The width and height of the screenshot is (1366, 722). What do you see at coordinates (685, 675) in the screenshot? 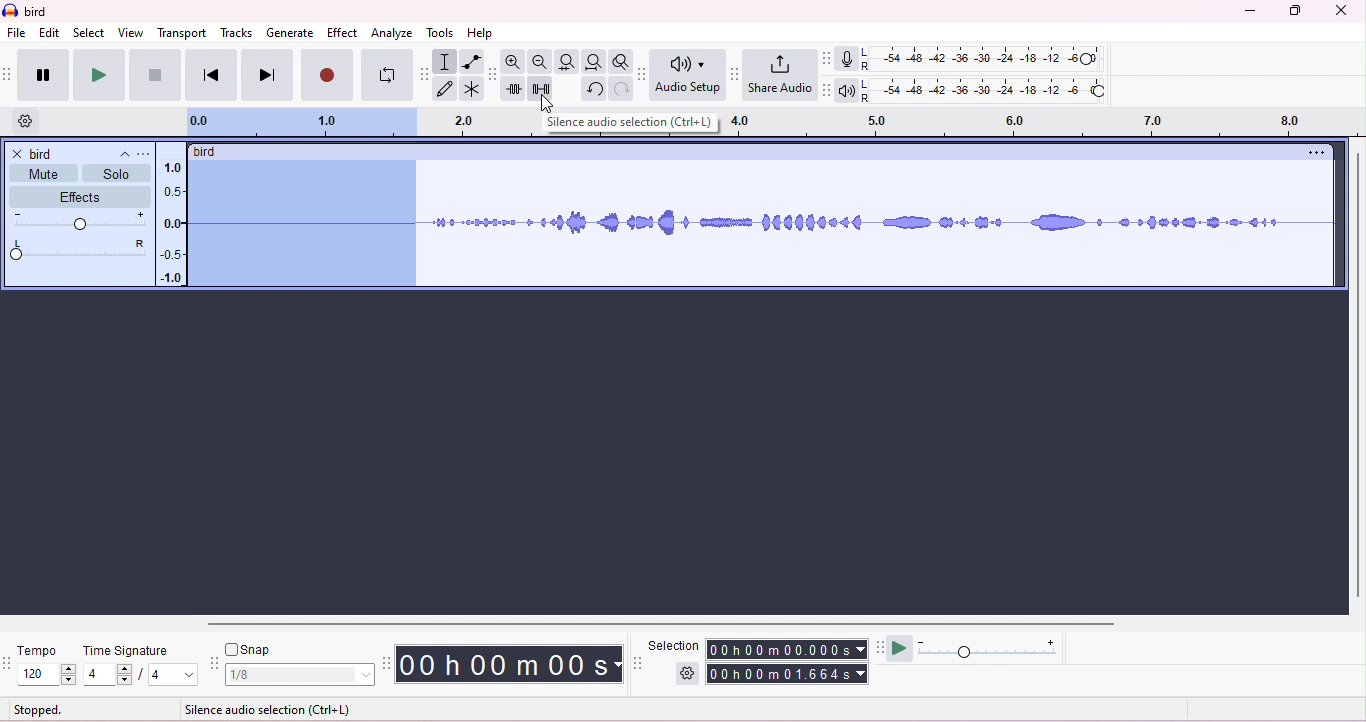
I see `selection options` at bounding box center [685, 675].